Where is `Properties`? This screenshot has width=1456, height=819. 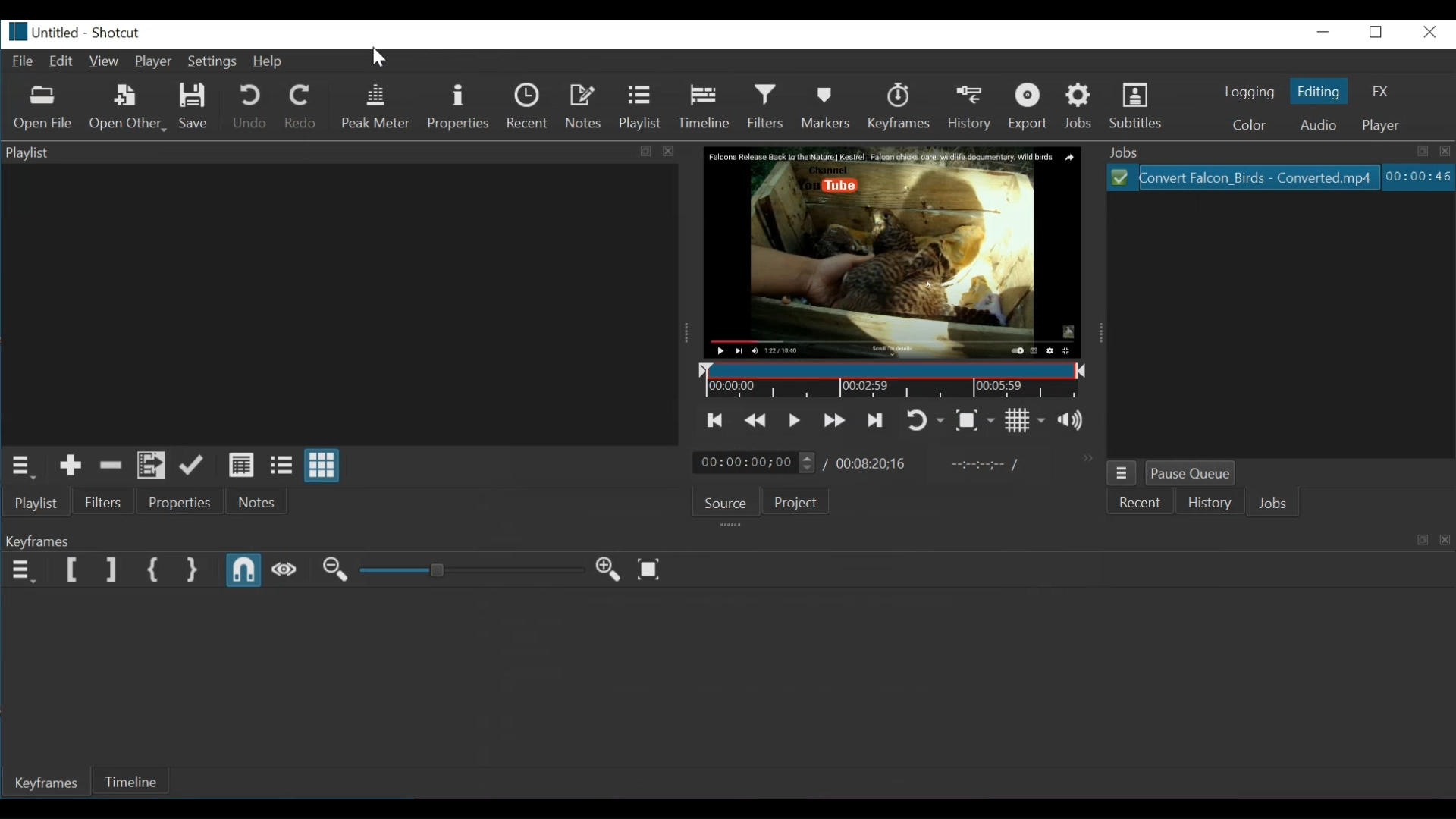
Properties is located at coordinates (179, 502).